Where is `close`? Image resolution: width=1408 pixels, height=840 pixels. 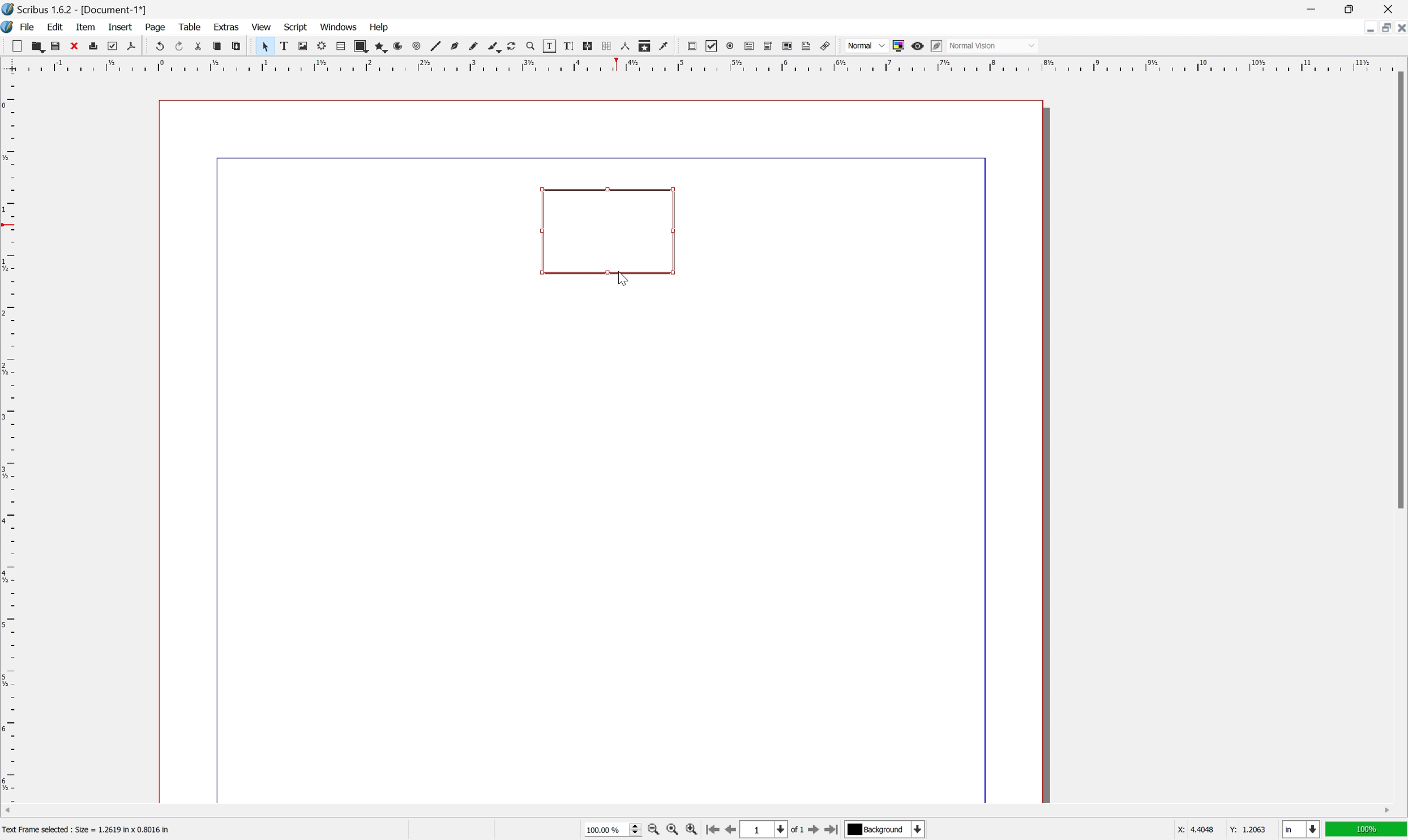
close is located at coordinates (1399, 28).